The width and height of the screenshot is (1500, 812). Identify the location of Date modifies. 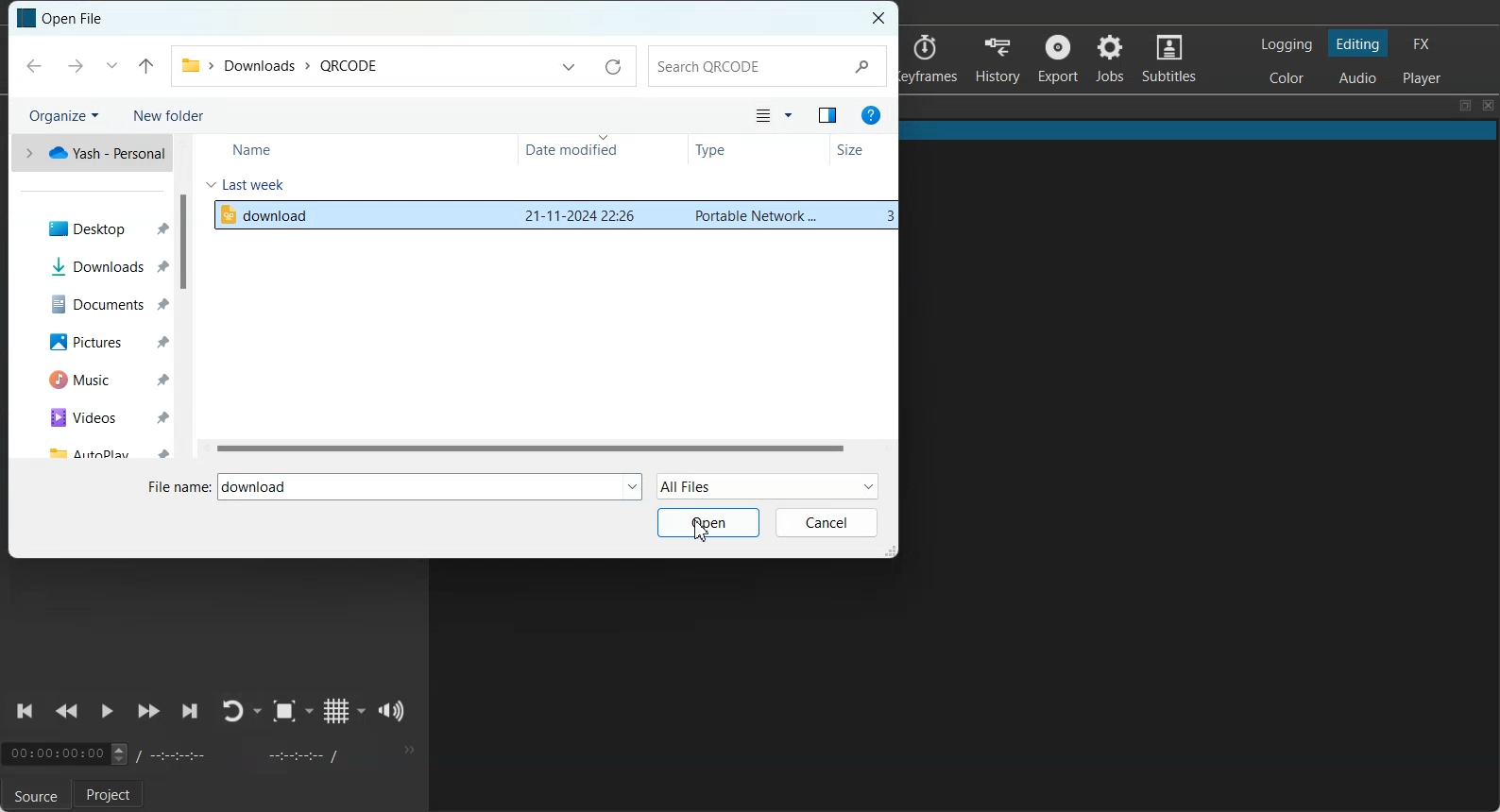
(580, 146).